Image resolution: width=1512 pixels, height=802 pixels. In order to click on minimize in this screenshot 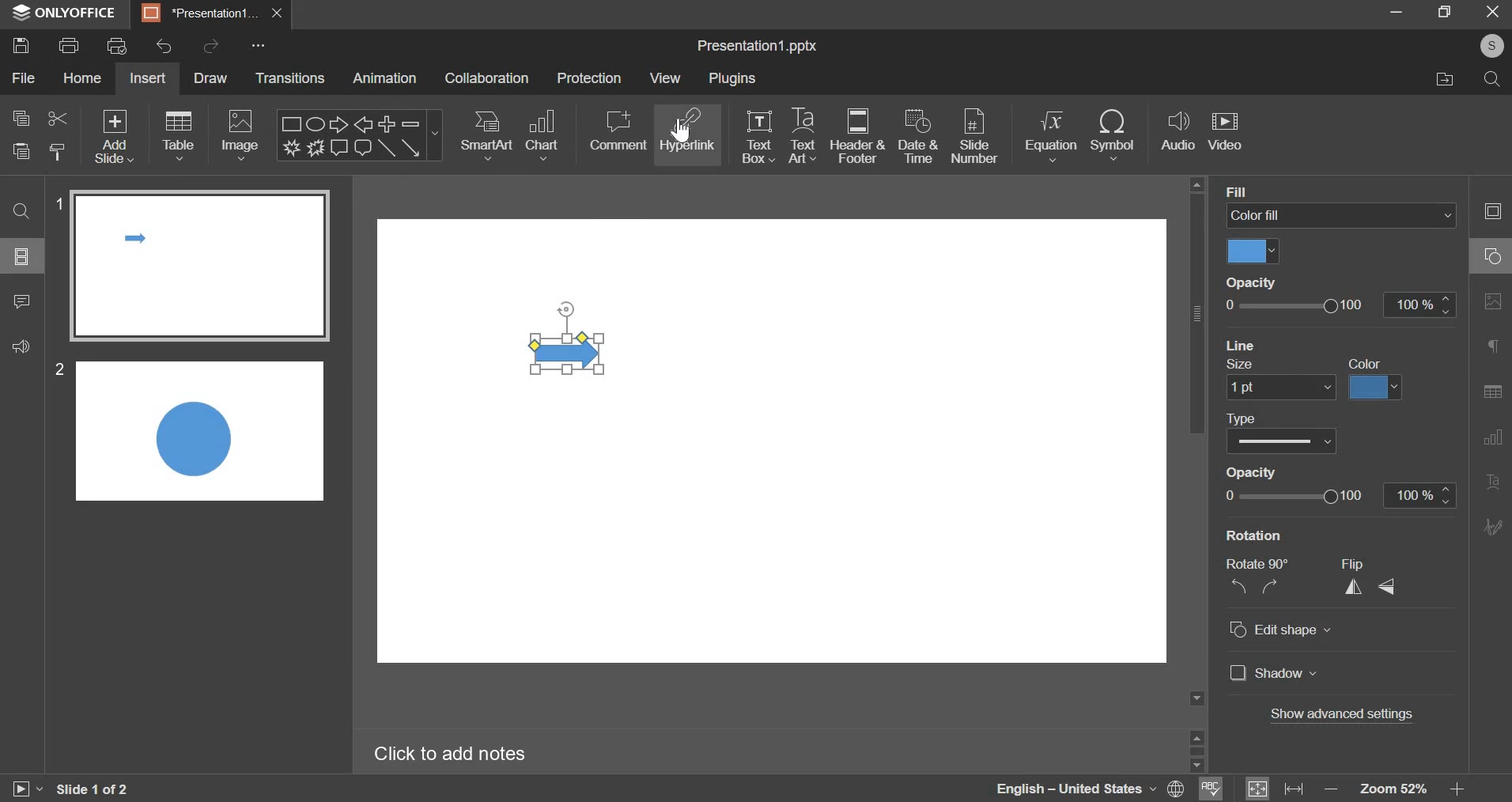, I will do `click(1399, 11)`.